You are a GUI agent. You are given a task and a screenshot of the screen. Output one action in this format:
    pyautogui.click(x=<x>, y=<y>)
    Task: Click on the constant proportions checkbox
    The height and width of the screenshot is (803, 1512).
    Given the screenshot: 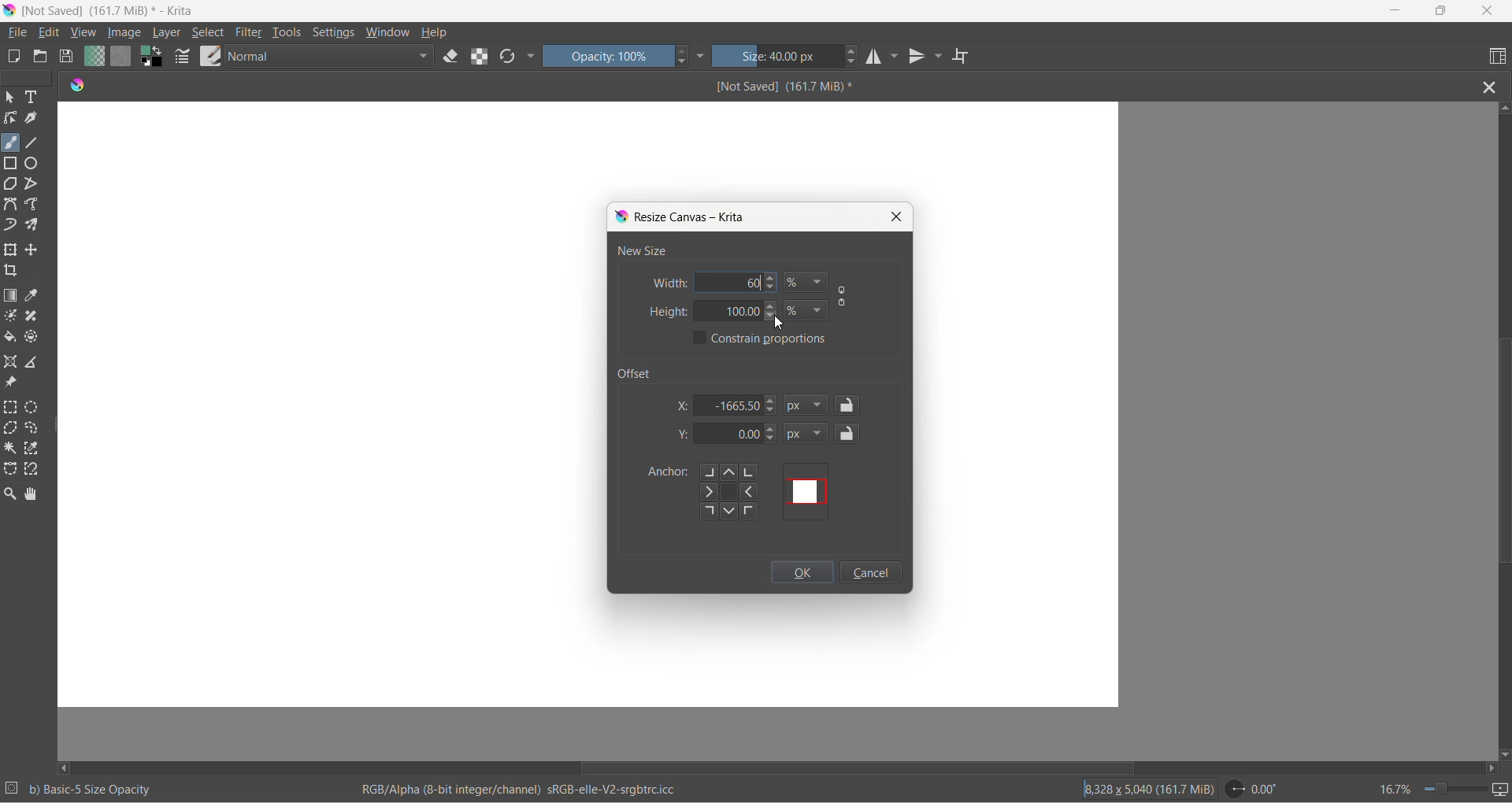 What is the action you would take?
    pyautogui.click(x=701, y=339)
    